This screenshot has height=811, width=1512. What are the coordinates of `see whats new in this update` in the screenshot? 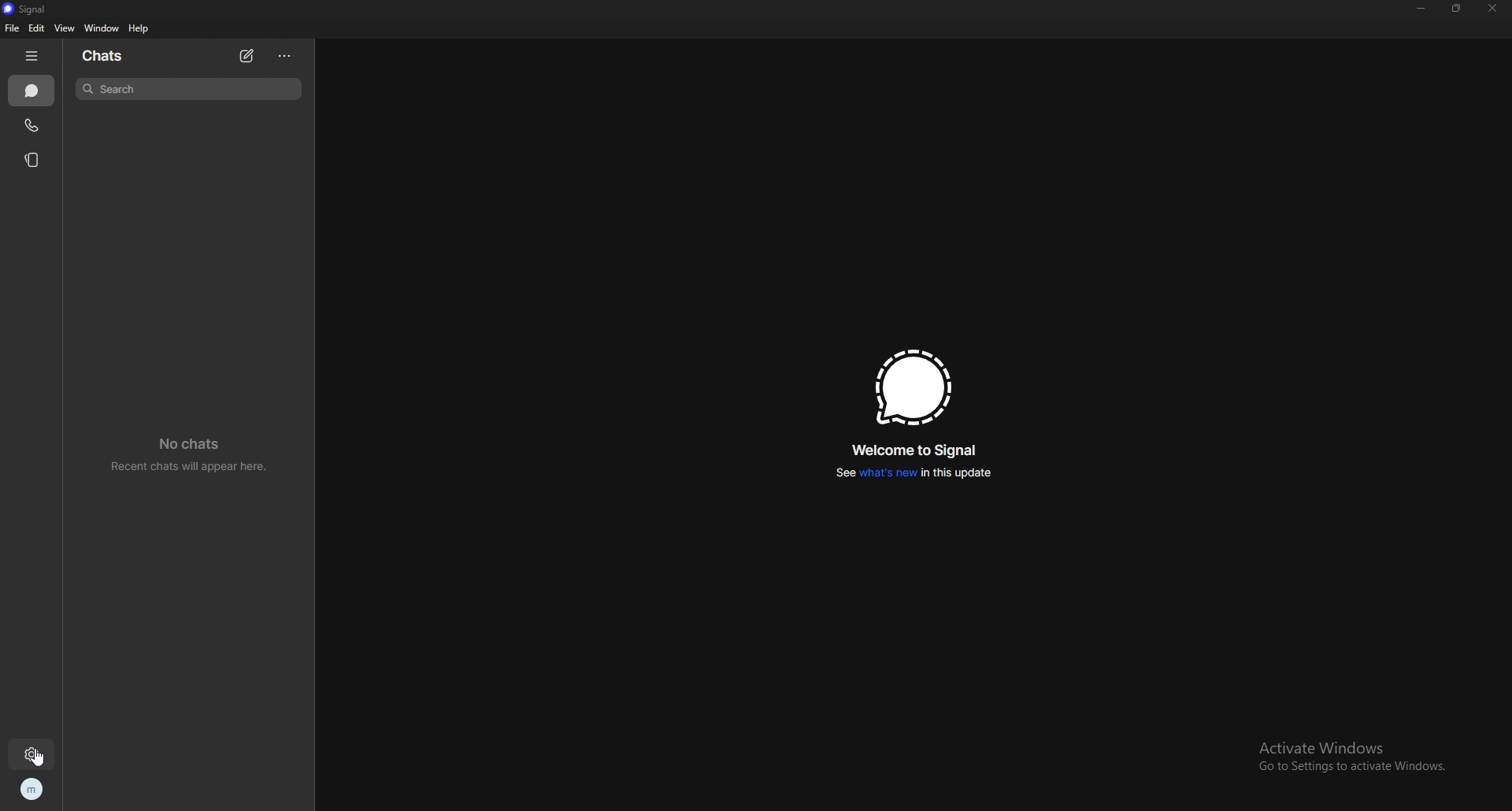 It's located at (913, 473).